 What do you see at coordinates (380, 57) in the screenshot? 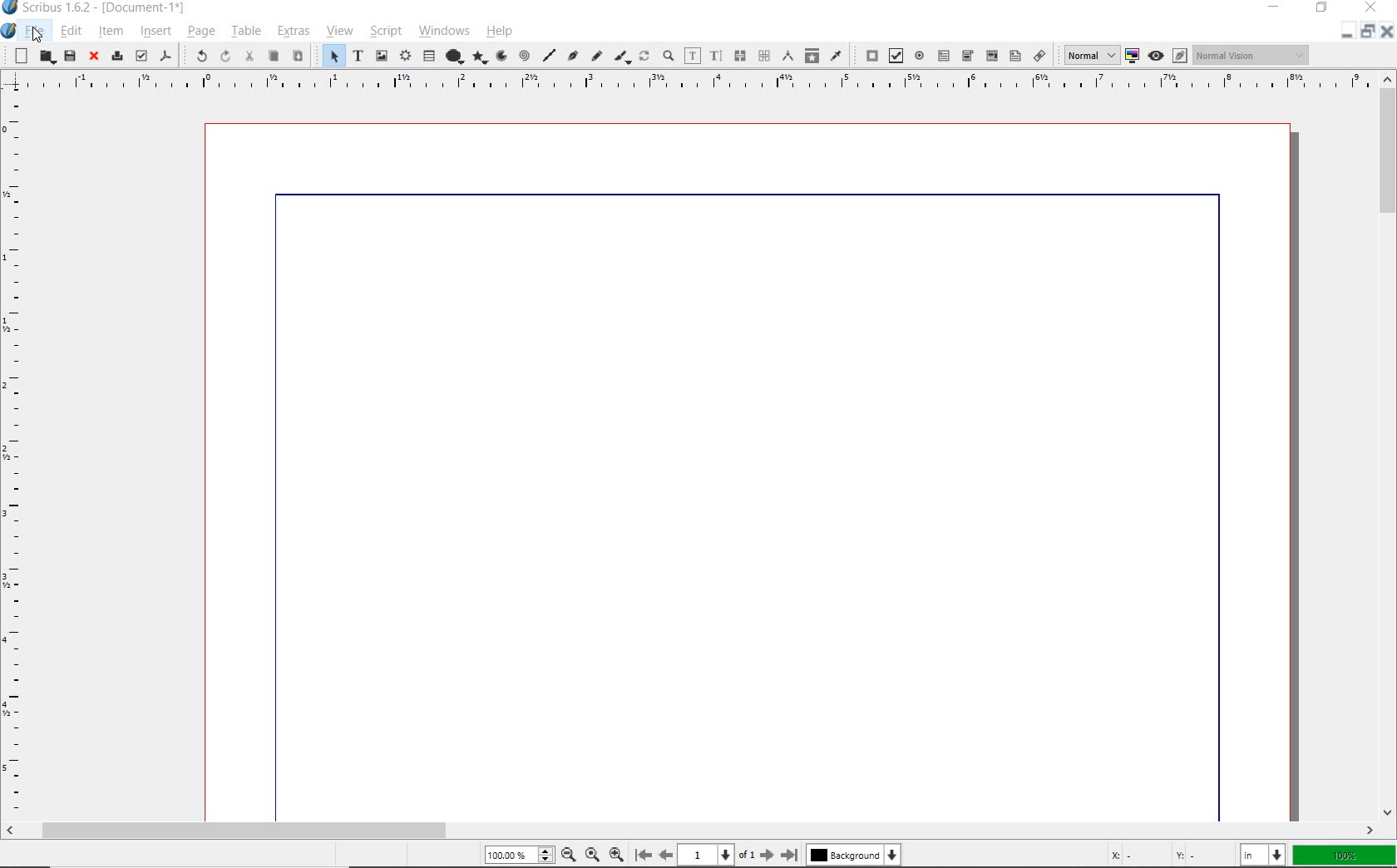
I see `image frame` at bounding box center [380, 57].